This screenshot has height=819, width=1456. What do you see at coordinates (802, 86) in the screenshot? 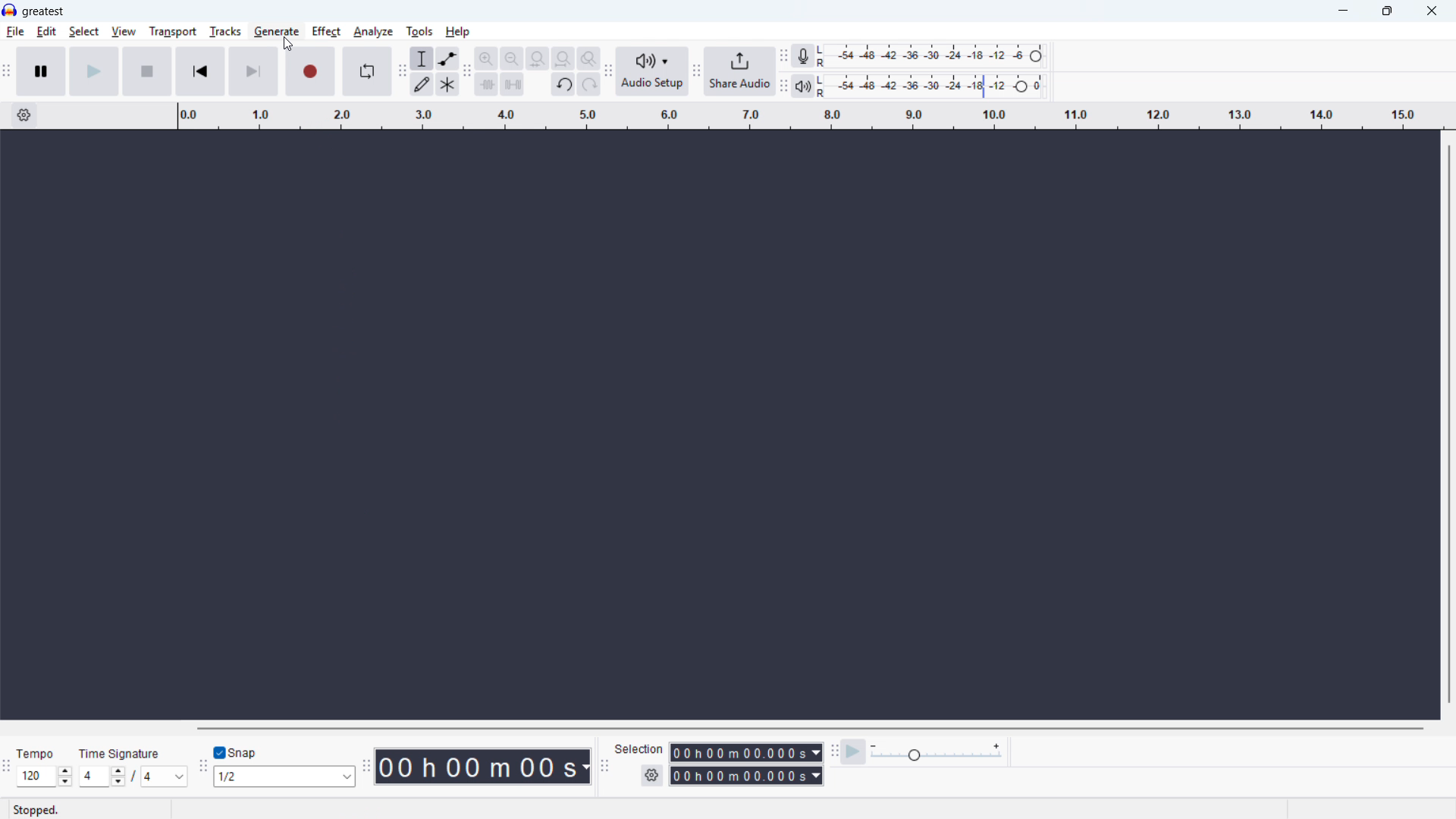
I see `playback meter` at bounding box center [802, 86].